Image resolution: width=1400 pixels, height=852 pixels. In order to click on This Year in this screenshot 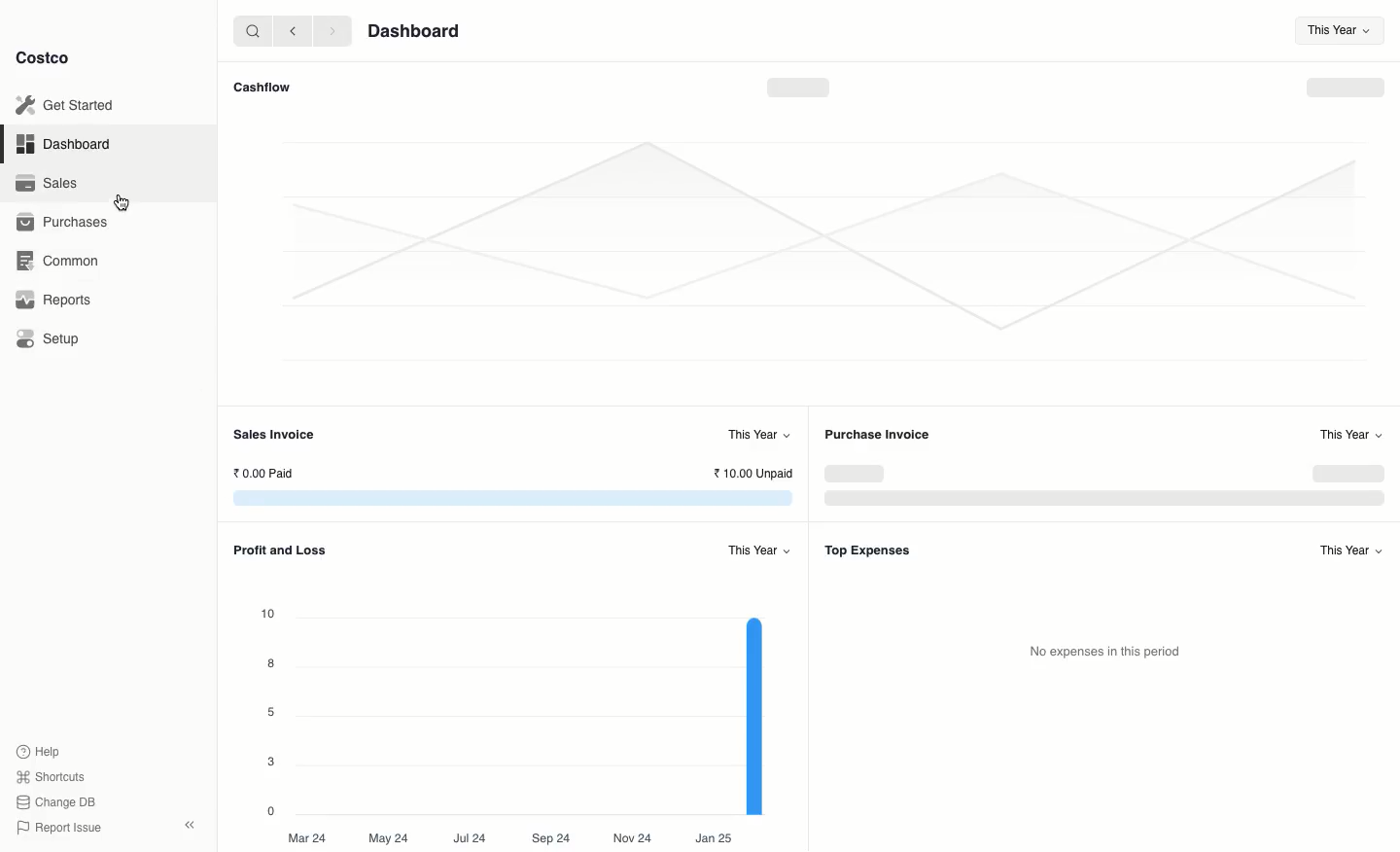, I will do `click(1333, 30)`.